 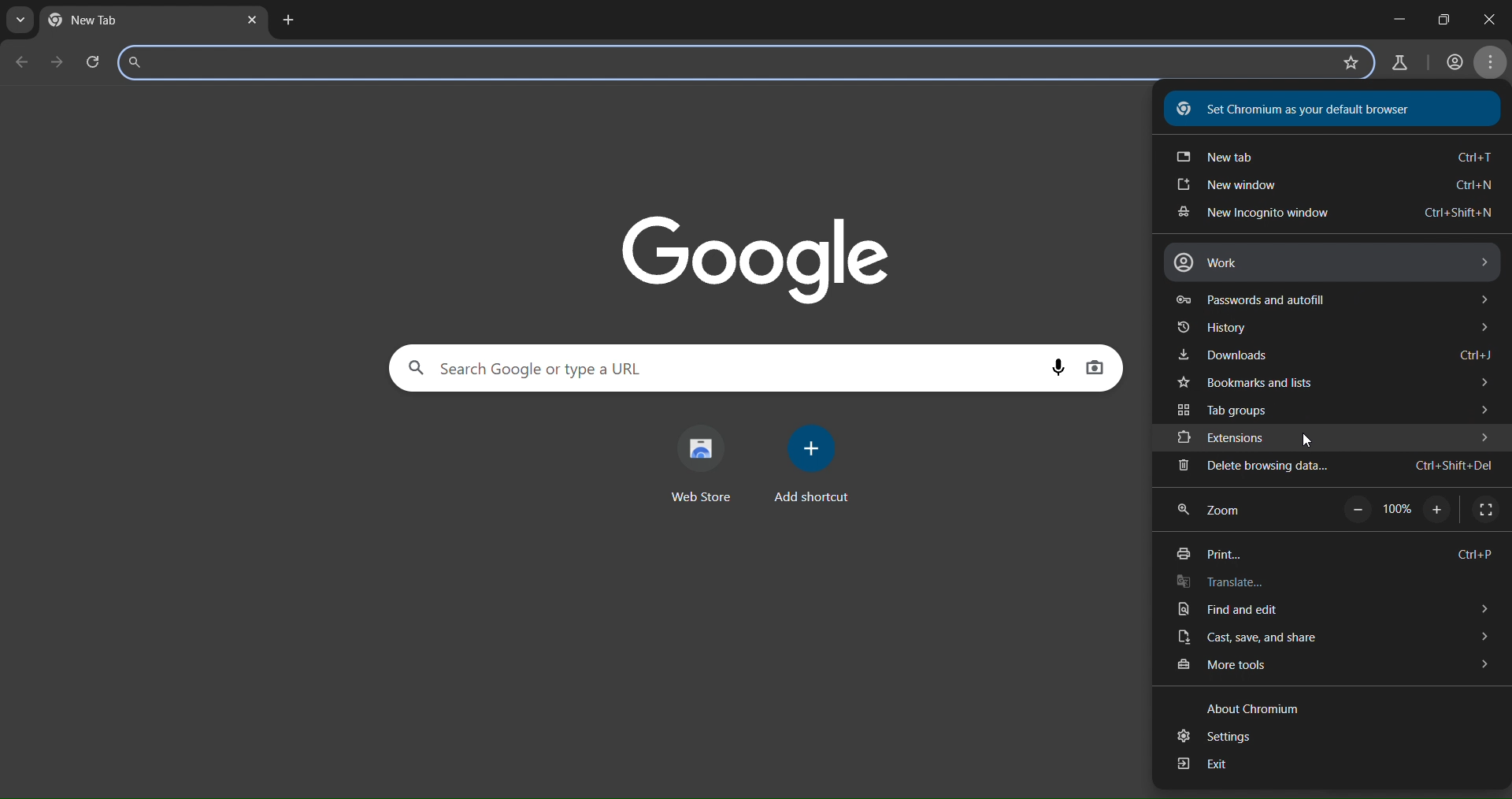 I want to click on cast, save and share, so click(x=1336, y=638).